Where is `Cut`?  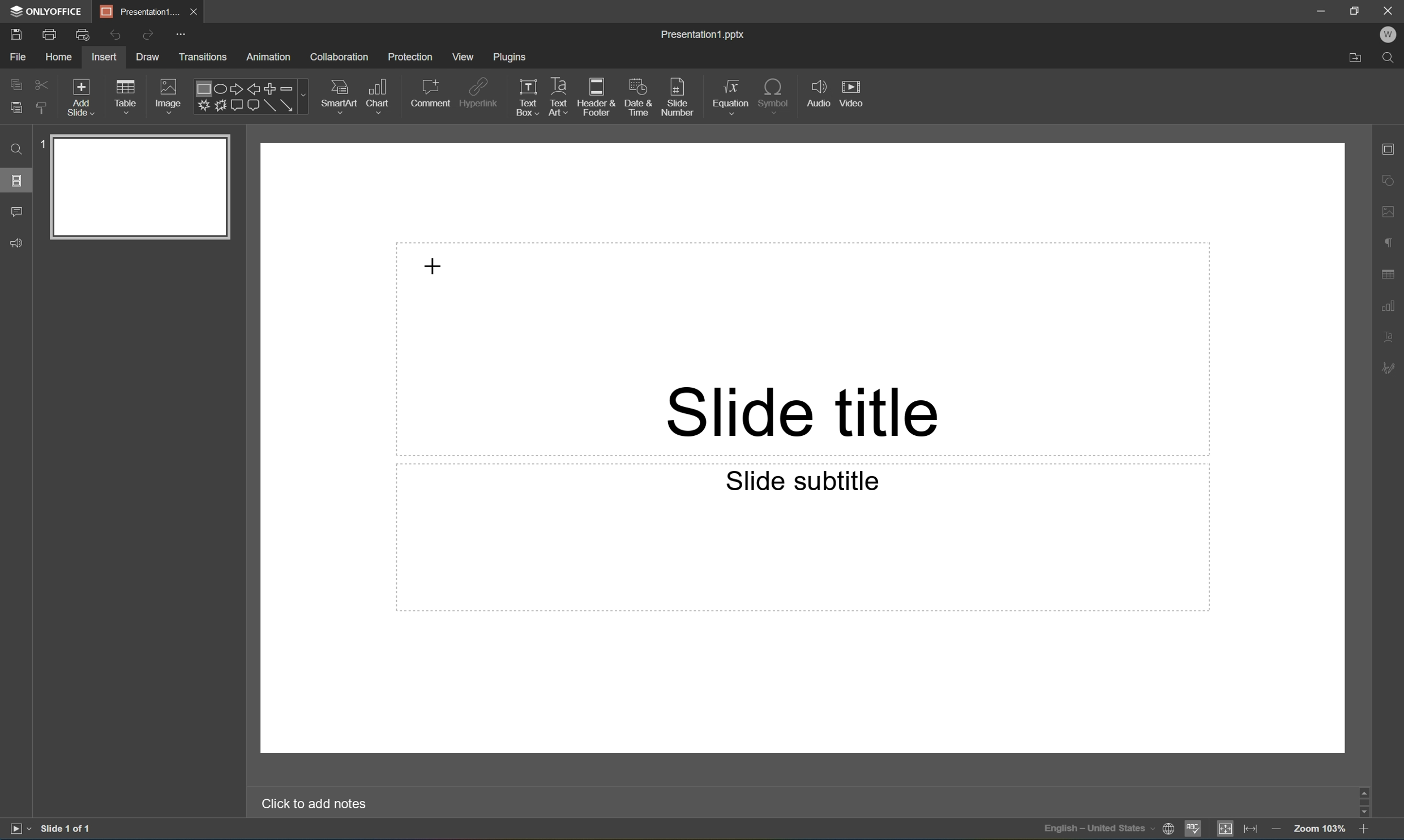
Cut is located at coordinates (42, 84).